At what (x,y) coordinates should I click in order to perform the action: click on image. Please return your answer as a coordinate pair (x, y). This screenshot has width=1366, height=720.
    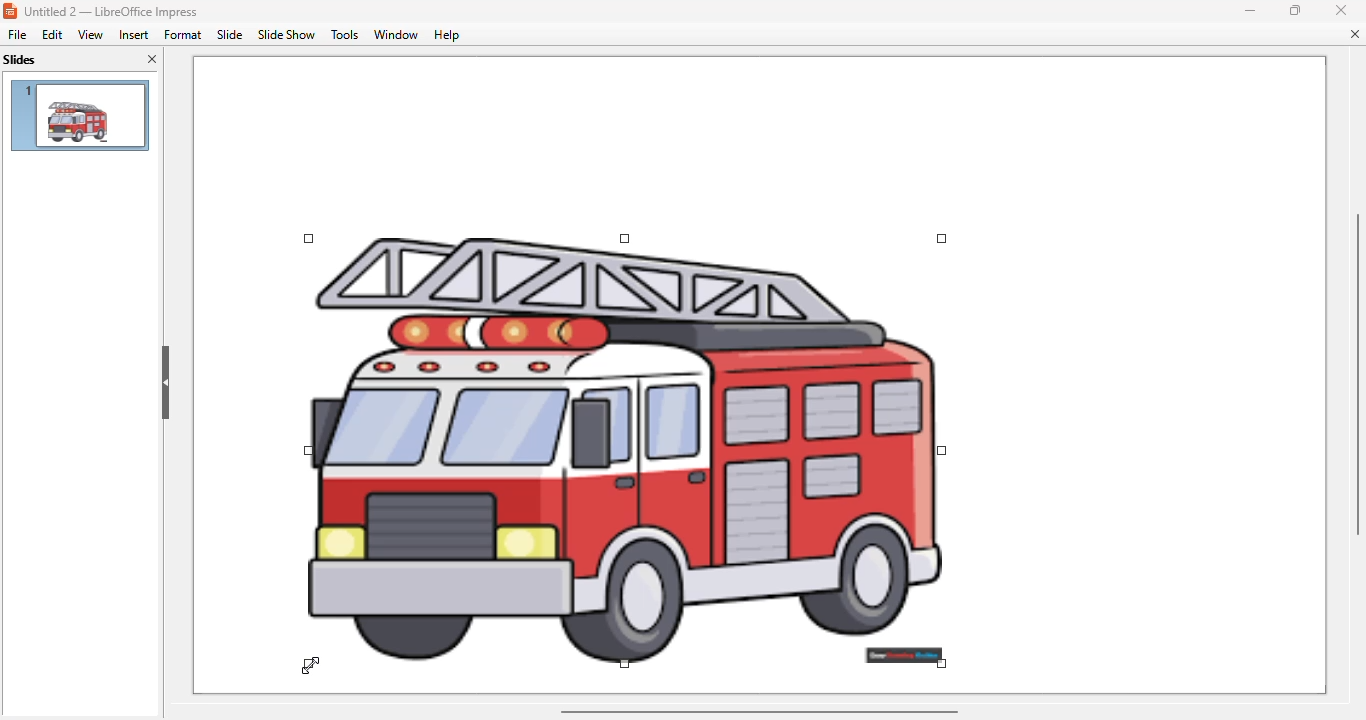
    Looking at the image, I should click on (626, 453).